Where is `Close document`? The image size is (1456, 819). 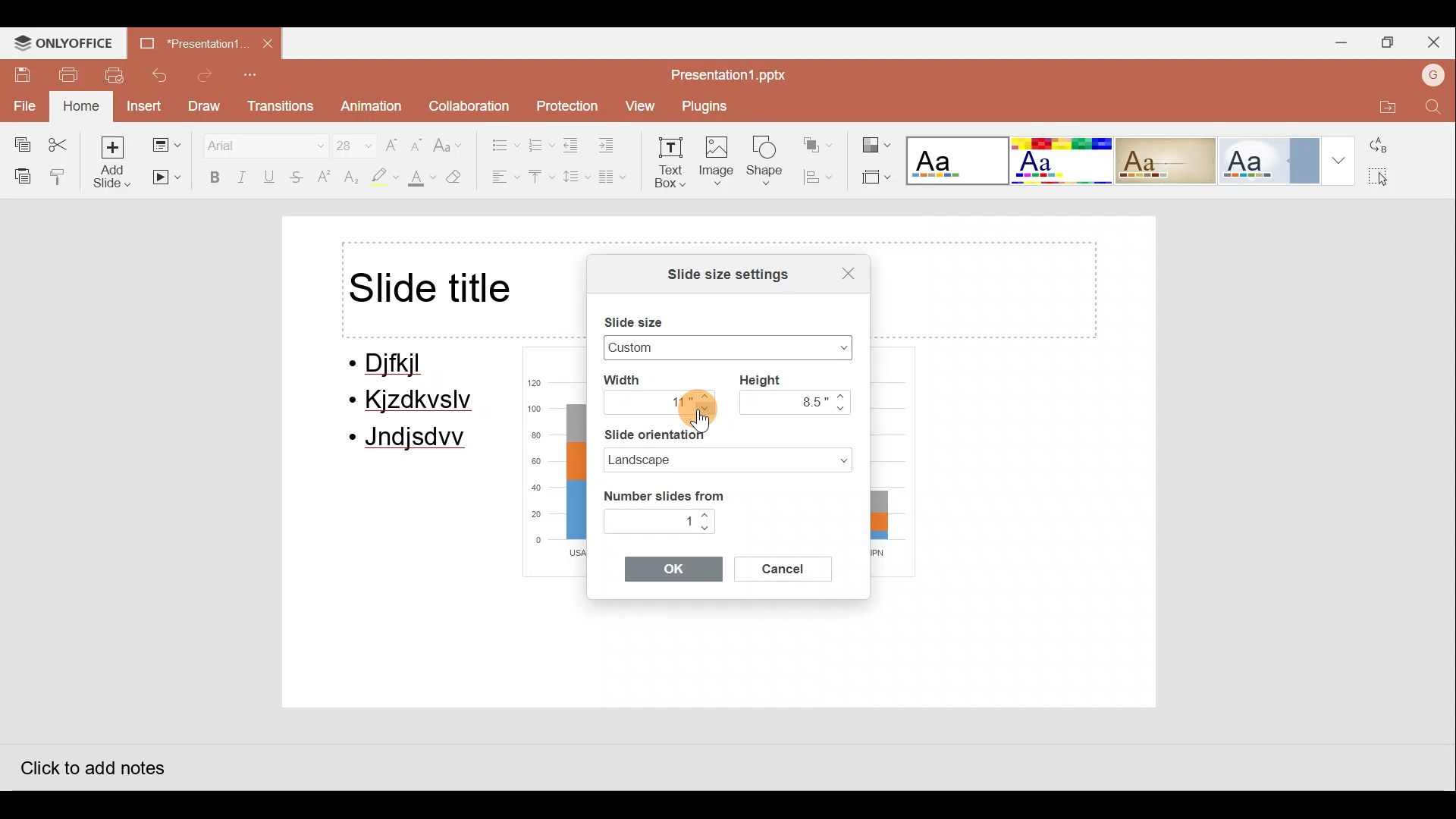
Close document is located at coordinates (269, 45).